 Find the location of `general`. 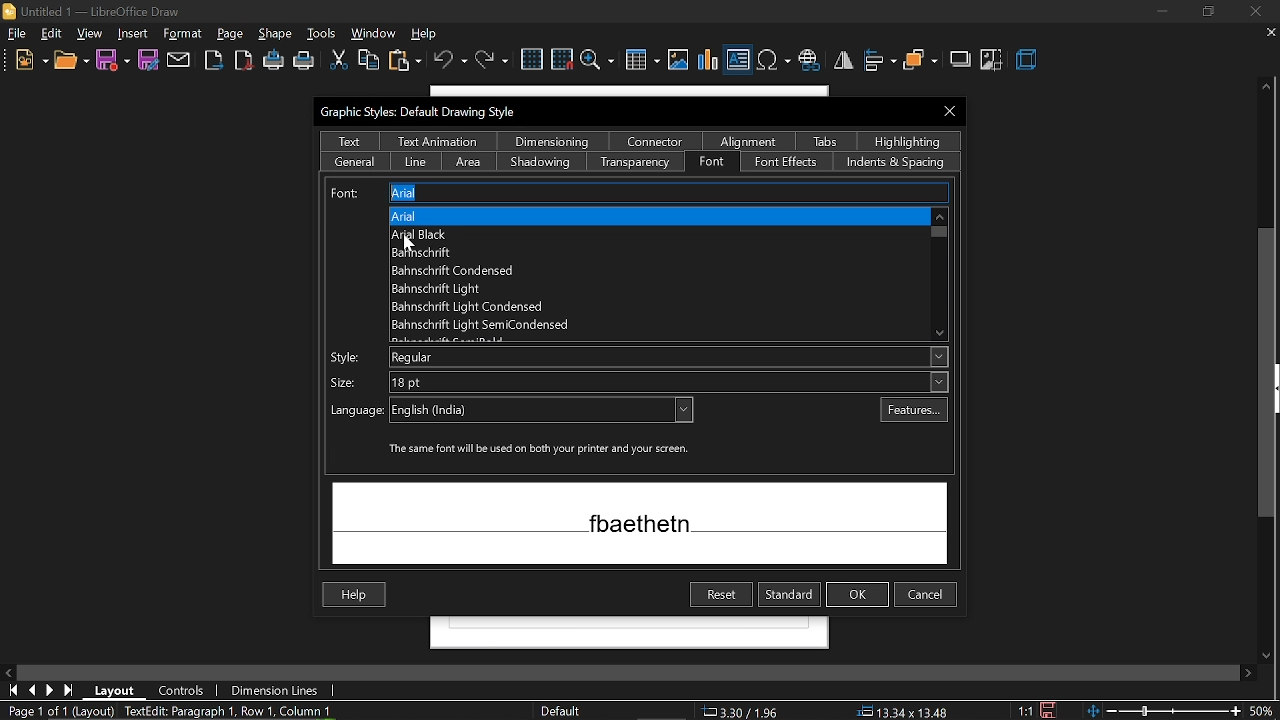

general is located at coordinates (355, 160).